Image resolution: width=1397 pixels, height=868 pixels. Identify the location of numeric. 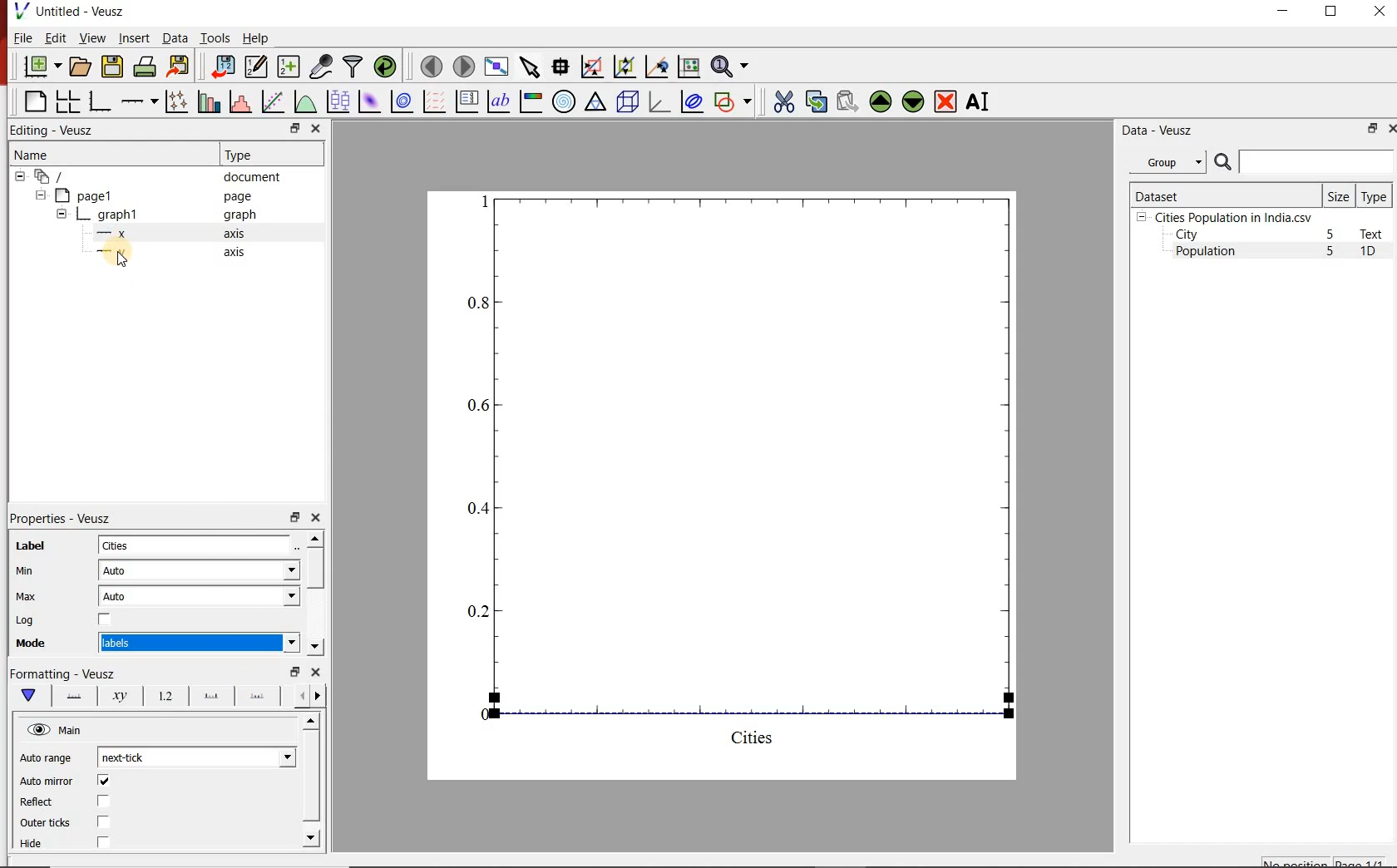
(198, 643).